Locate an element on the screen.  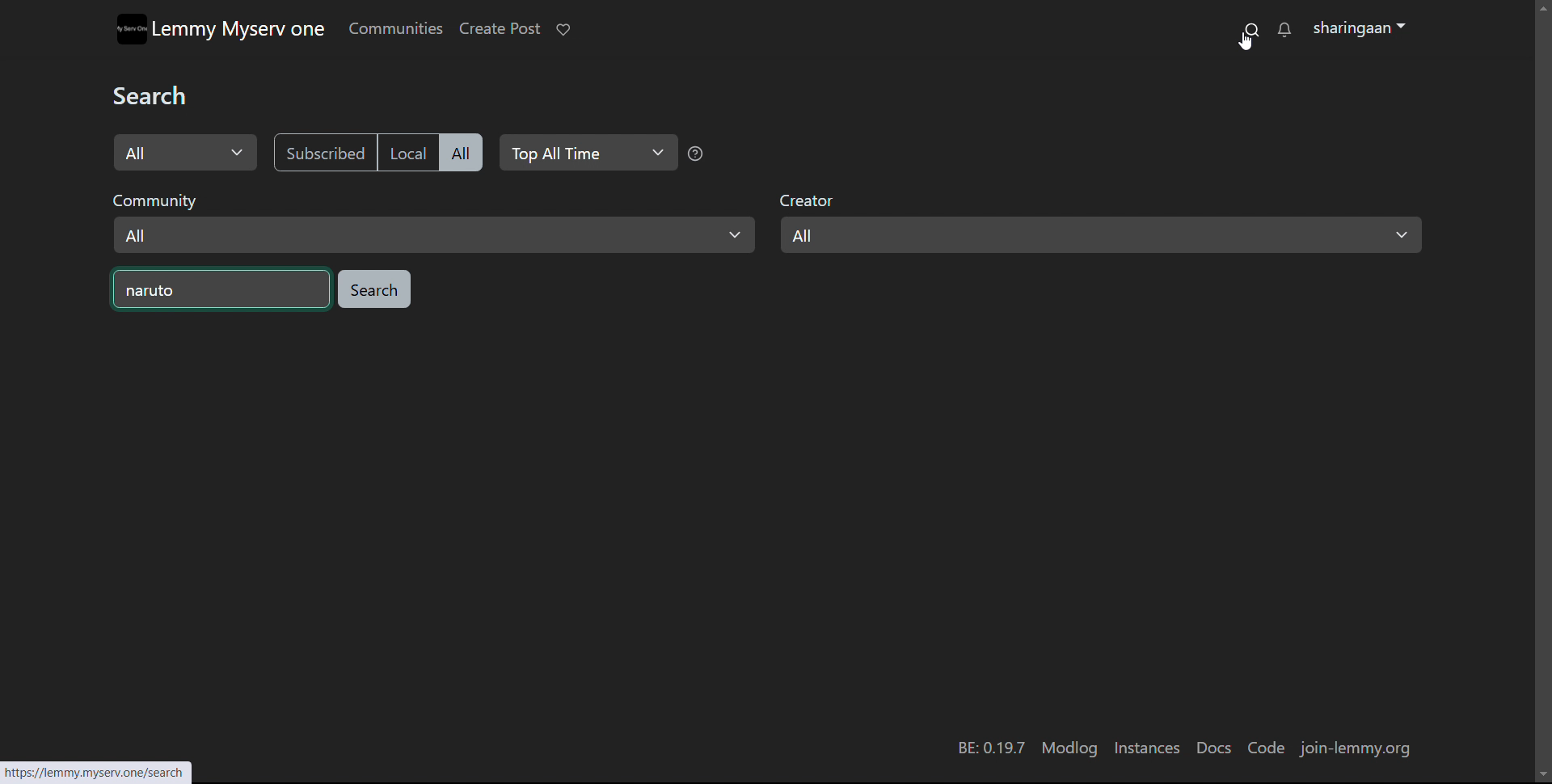
local is located at coordinates (406, 151).